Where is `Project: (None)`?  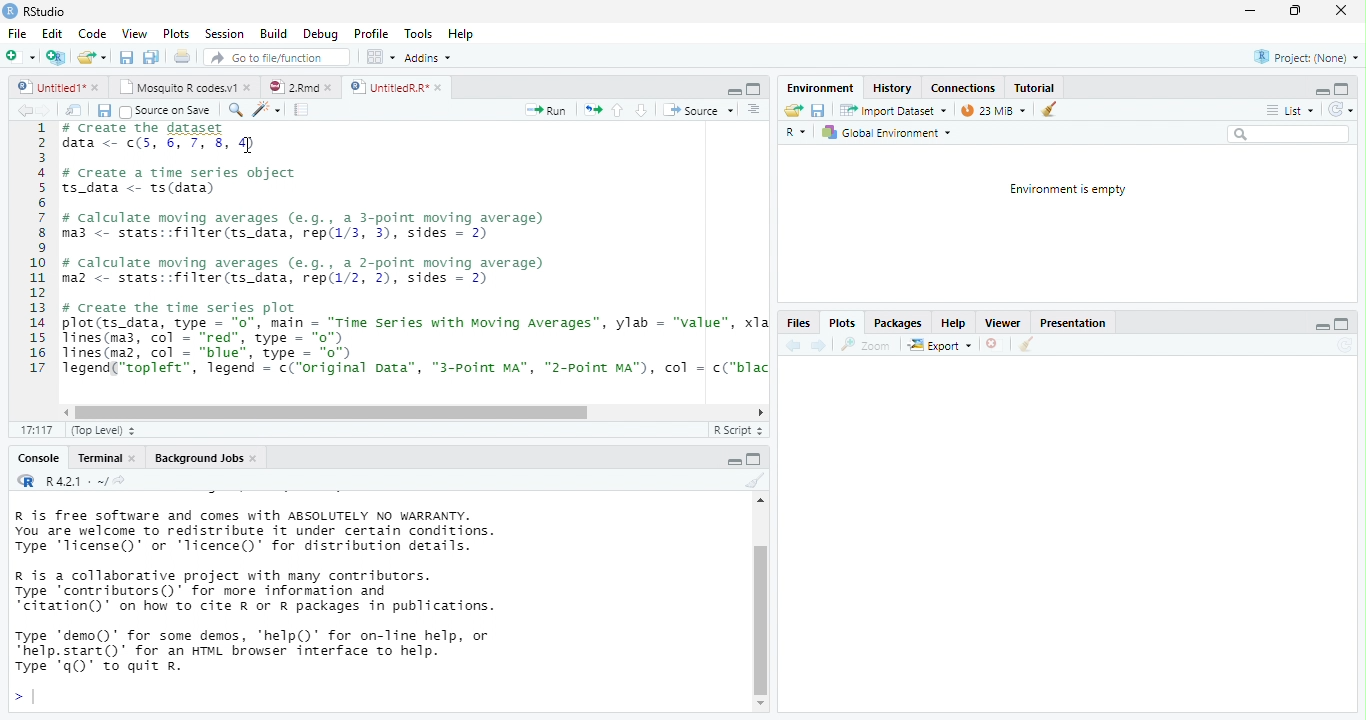
Project: (None) is located at coordinates (1307, 58).